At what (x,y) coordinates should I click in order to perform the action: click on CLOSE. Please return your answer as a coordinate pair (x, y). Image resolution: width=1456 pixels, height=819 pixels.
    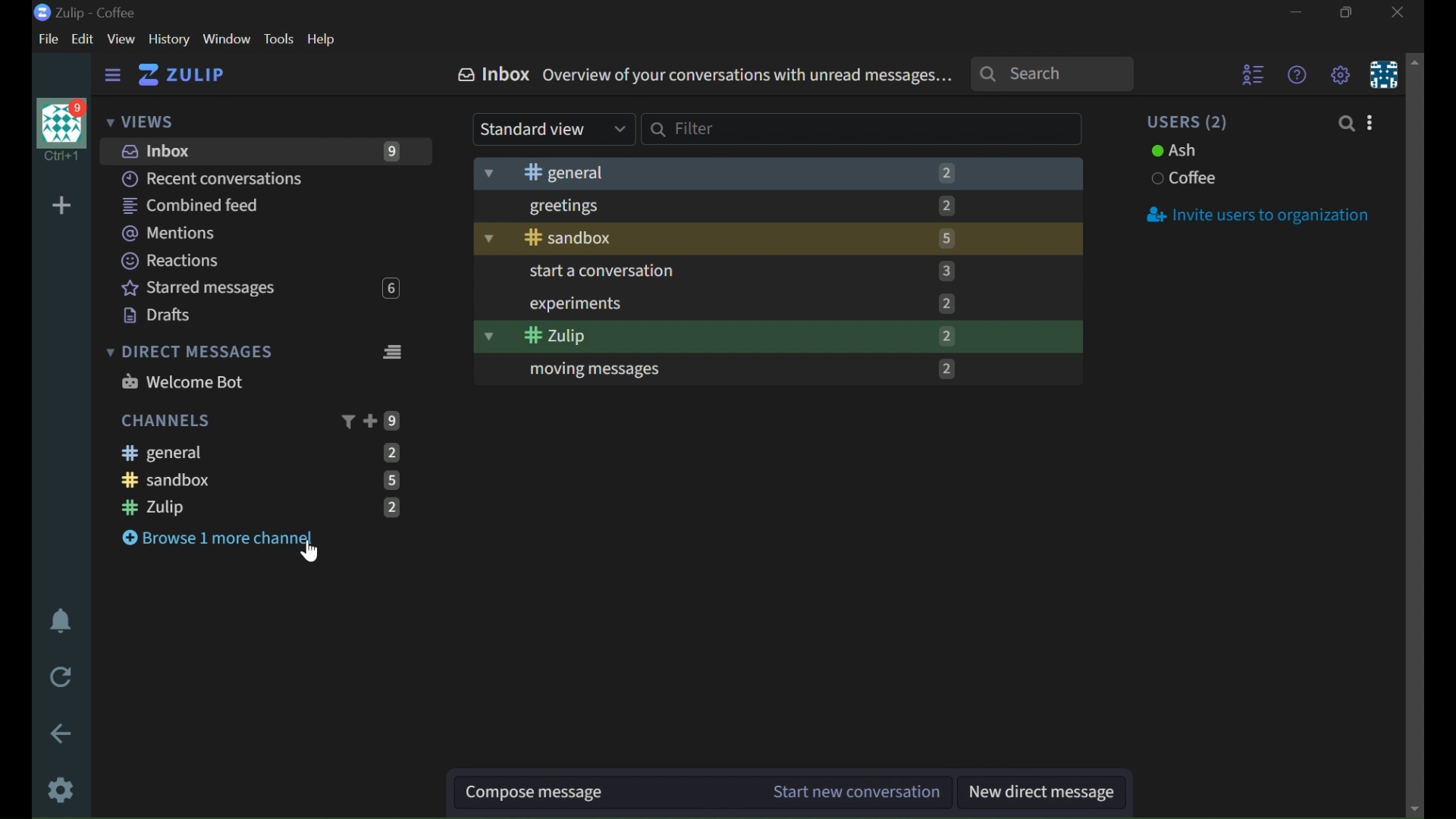
    Looking at the image, I should click on (1398, 12).